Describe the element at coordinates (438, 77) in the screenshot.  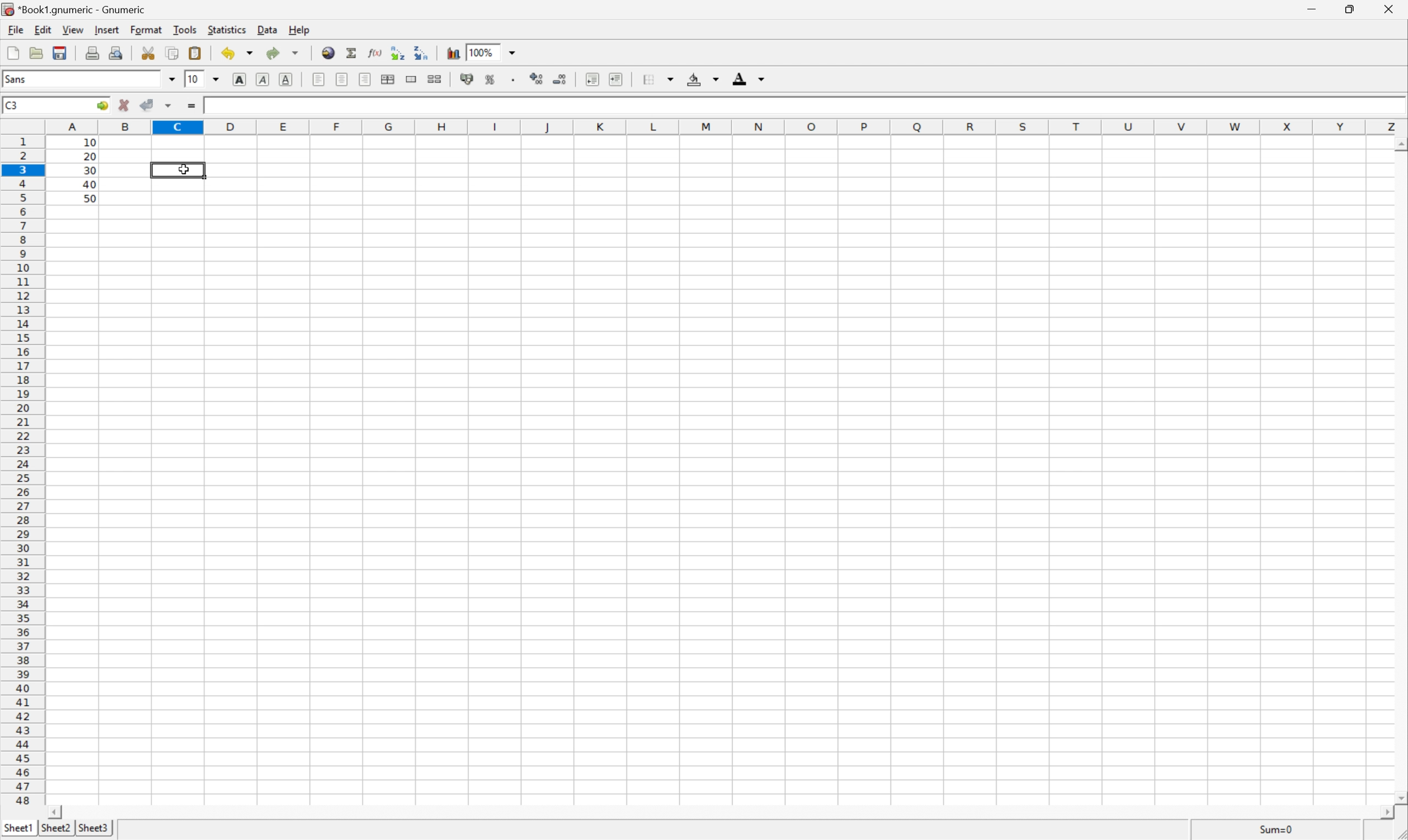
I see `Split merged ranges of cells` at that location.